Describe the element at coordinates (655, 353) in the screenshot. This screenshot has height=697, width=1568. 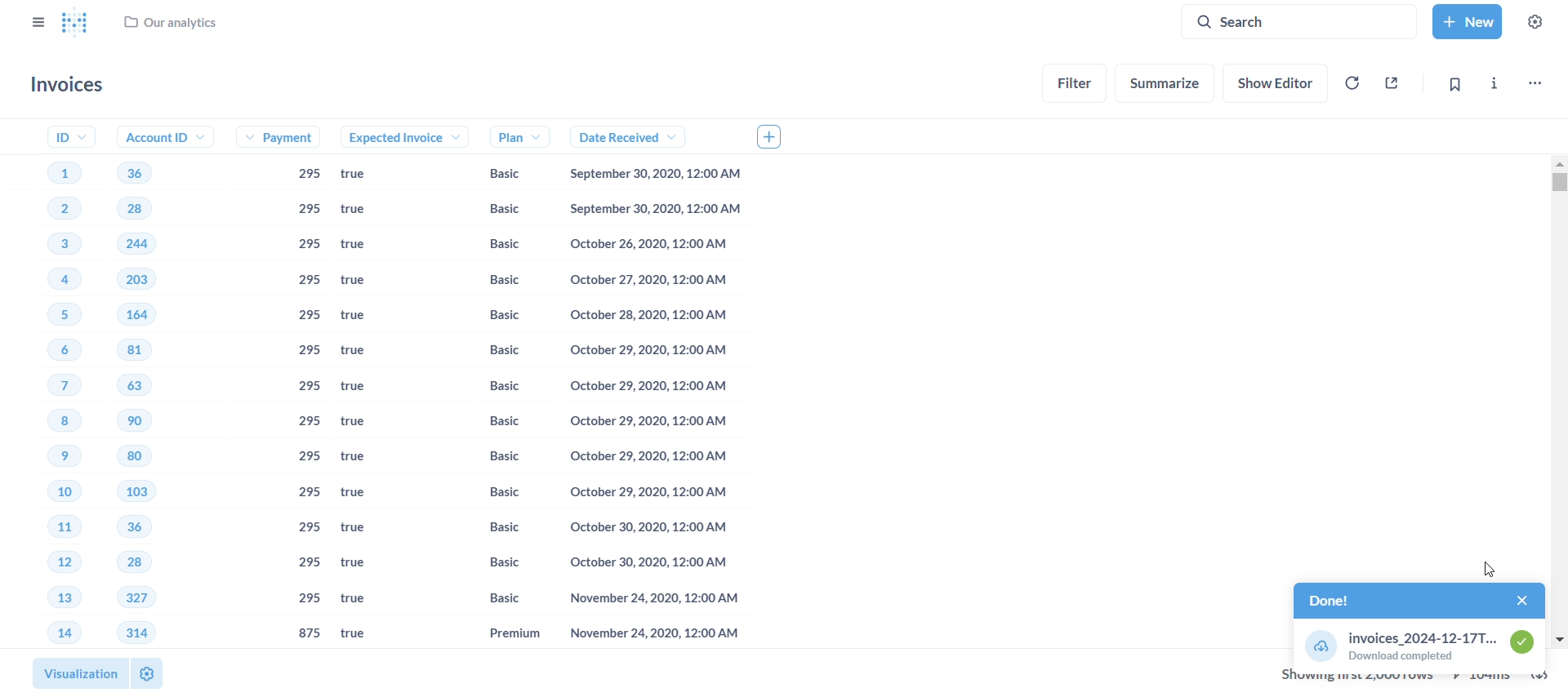
I see `October 29,2020, 12:00 AM` at that location.